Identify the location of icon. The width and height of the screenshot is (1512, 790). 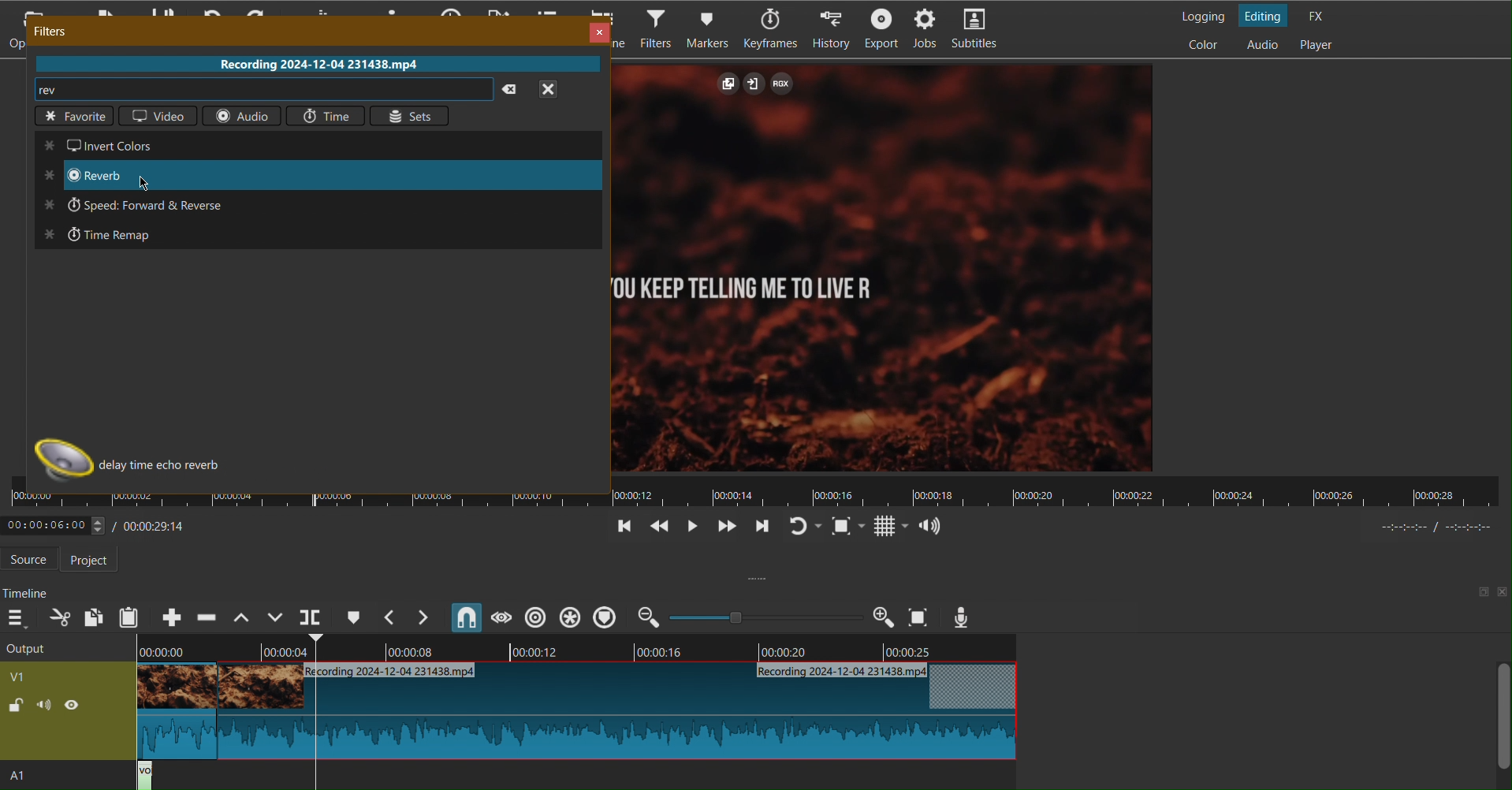
(57, 462).